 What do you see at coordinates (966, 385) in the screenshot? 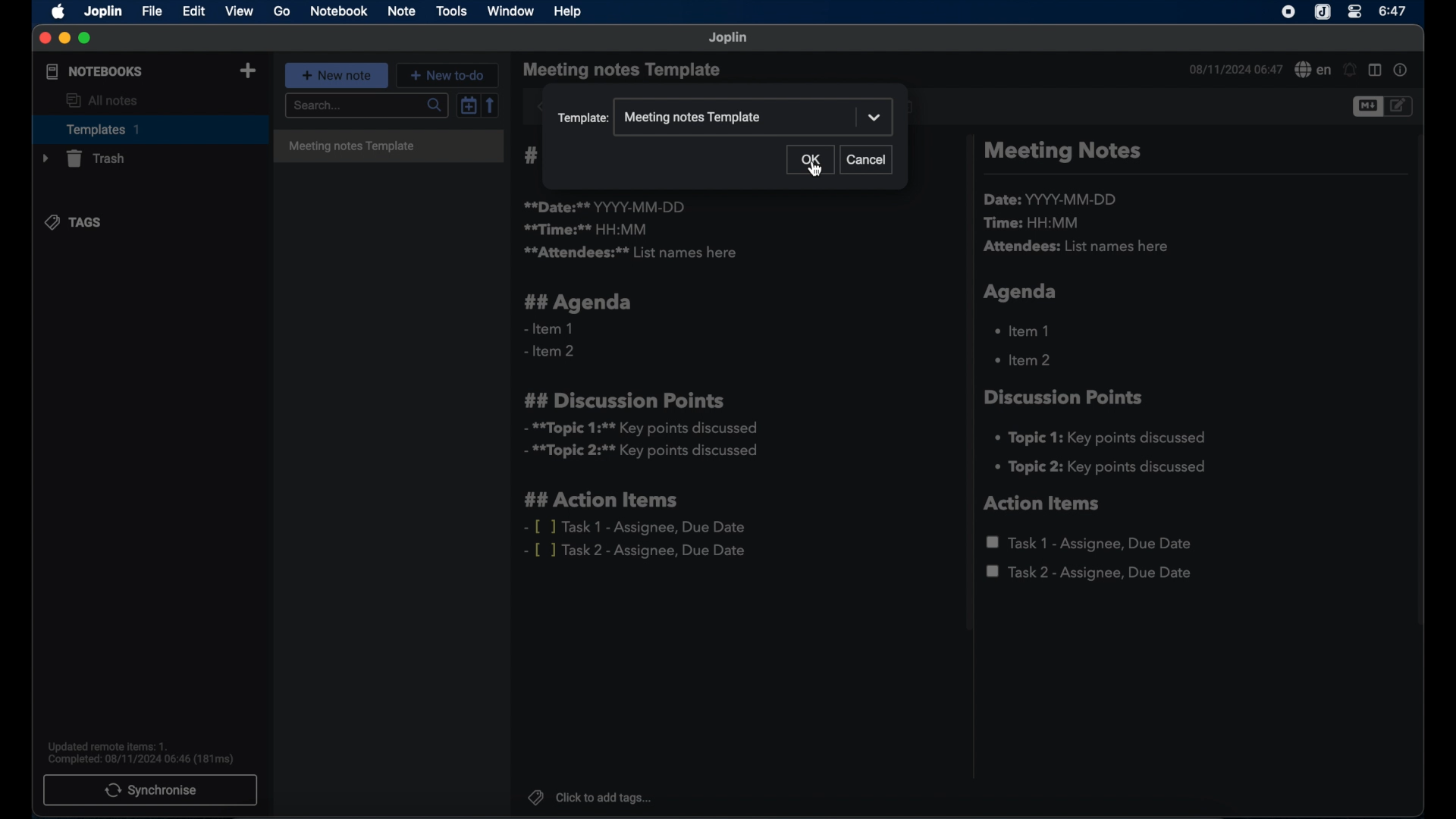
I see `scroll bar` at bounding box center [966, 385].